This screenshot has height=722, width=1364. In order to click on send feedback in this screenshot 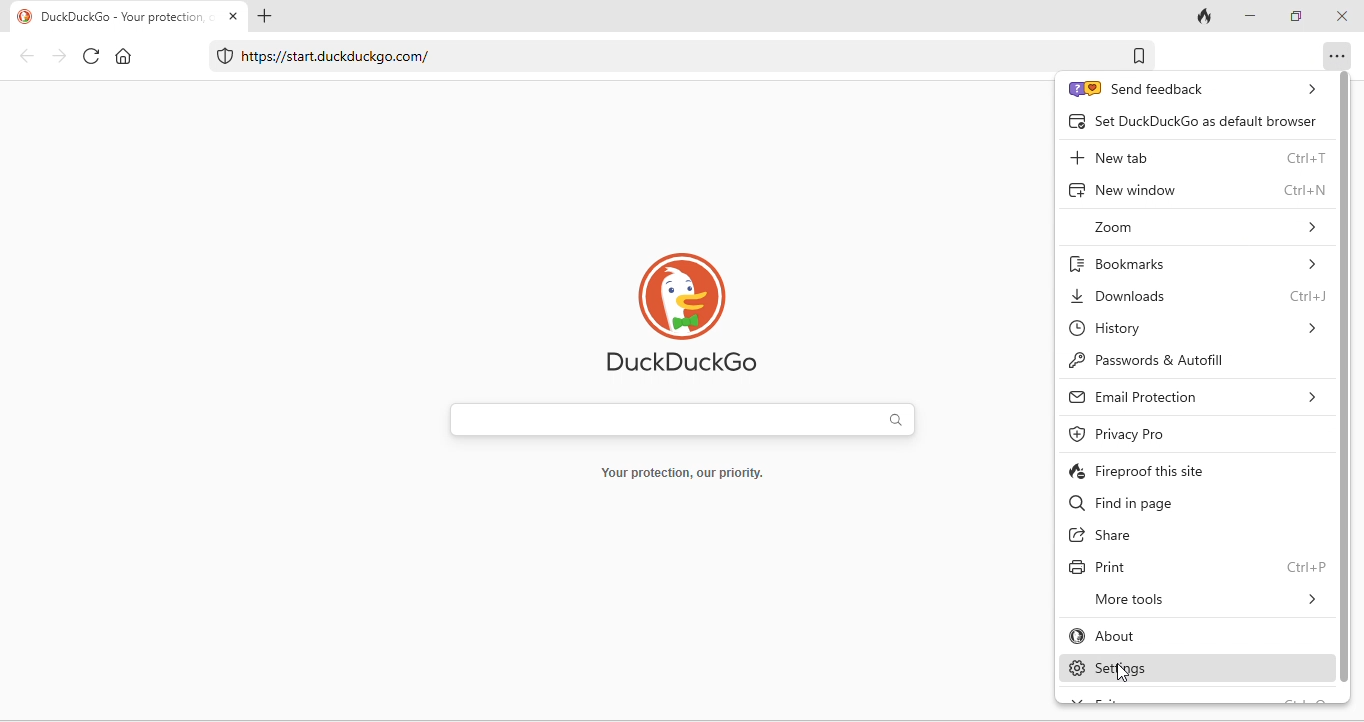, I will do `click(1191, 89)`.